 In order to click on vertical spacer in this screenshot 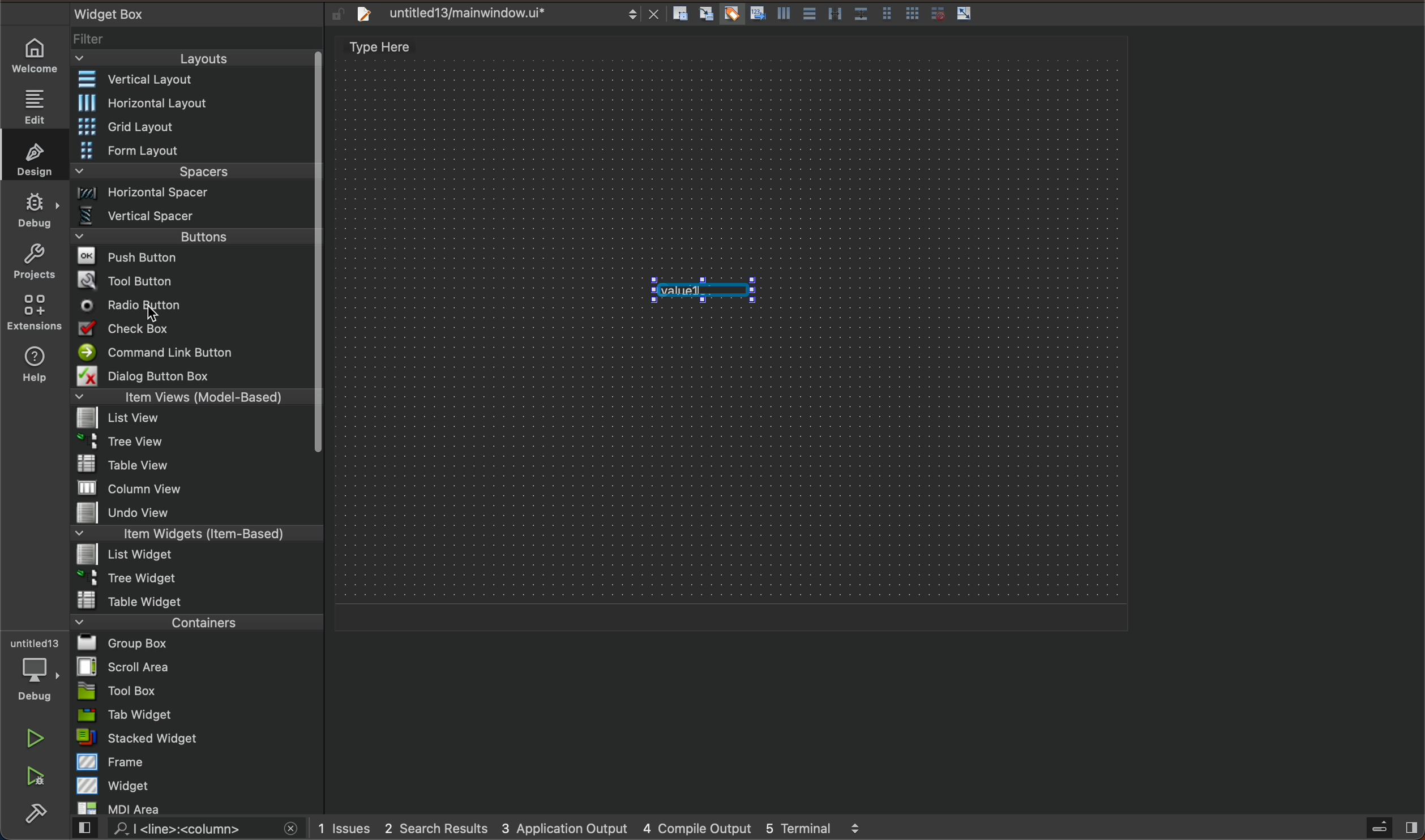, I will do `click(192, 218)`.